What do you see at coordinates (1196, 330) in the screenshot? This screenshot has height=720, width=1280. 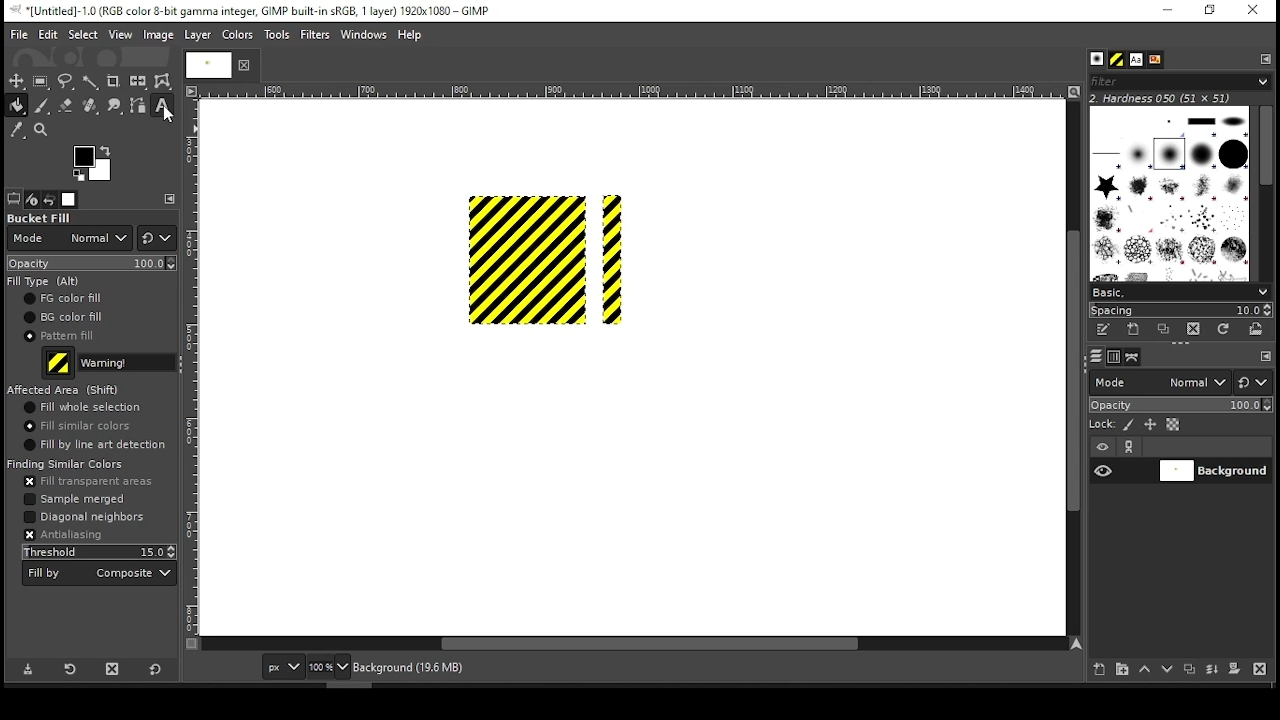 I see `delete brush` at bounding box center [1196, 330].